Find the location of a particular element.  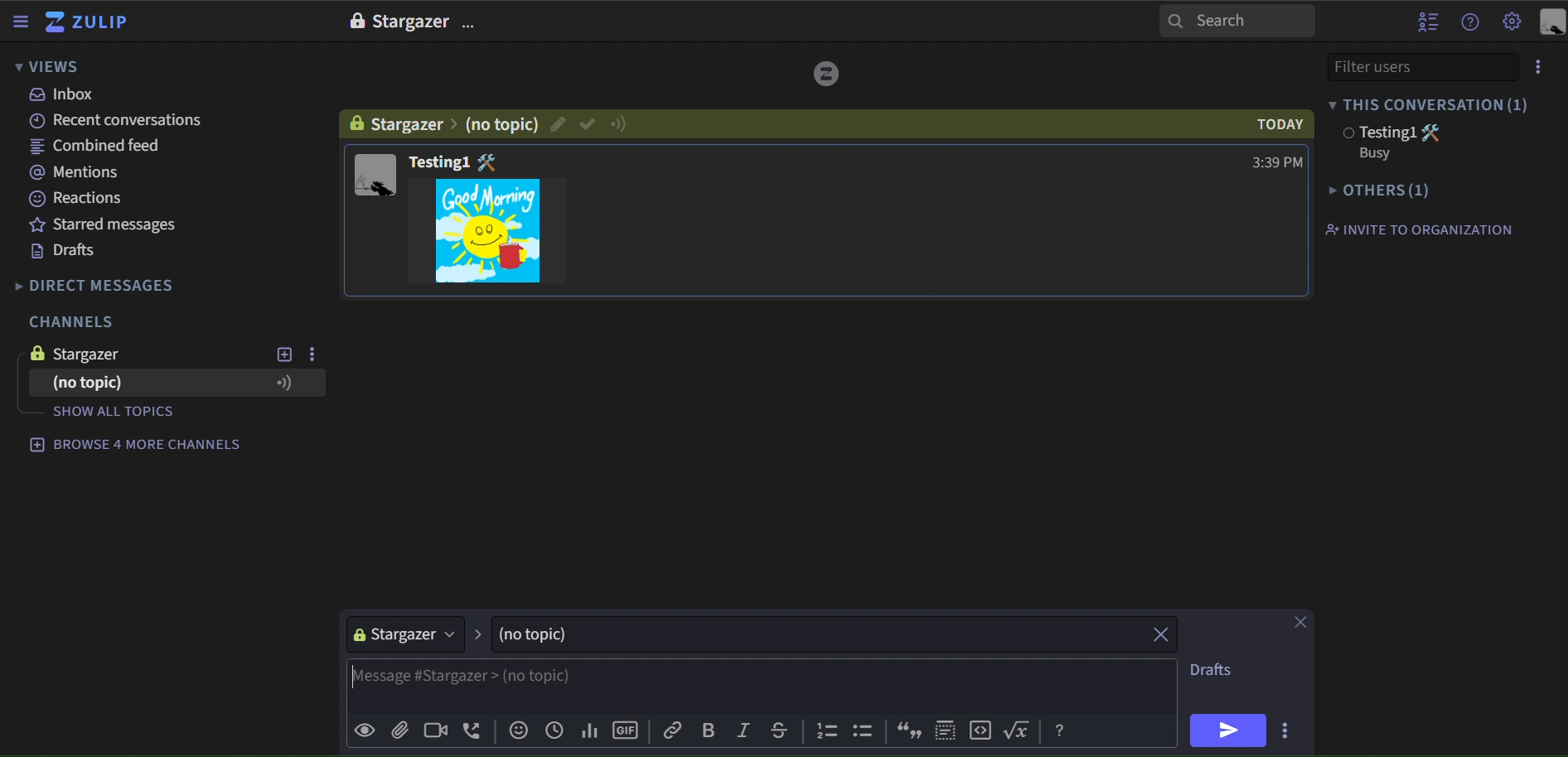

settings is located at coordinates (1512, 23).